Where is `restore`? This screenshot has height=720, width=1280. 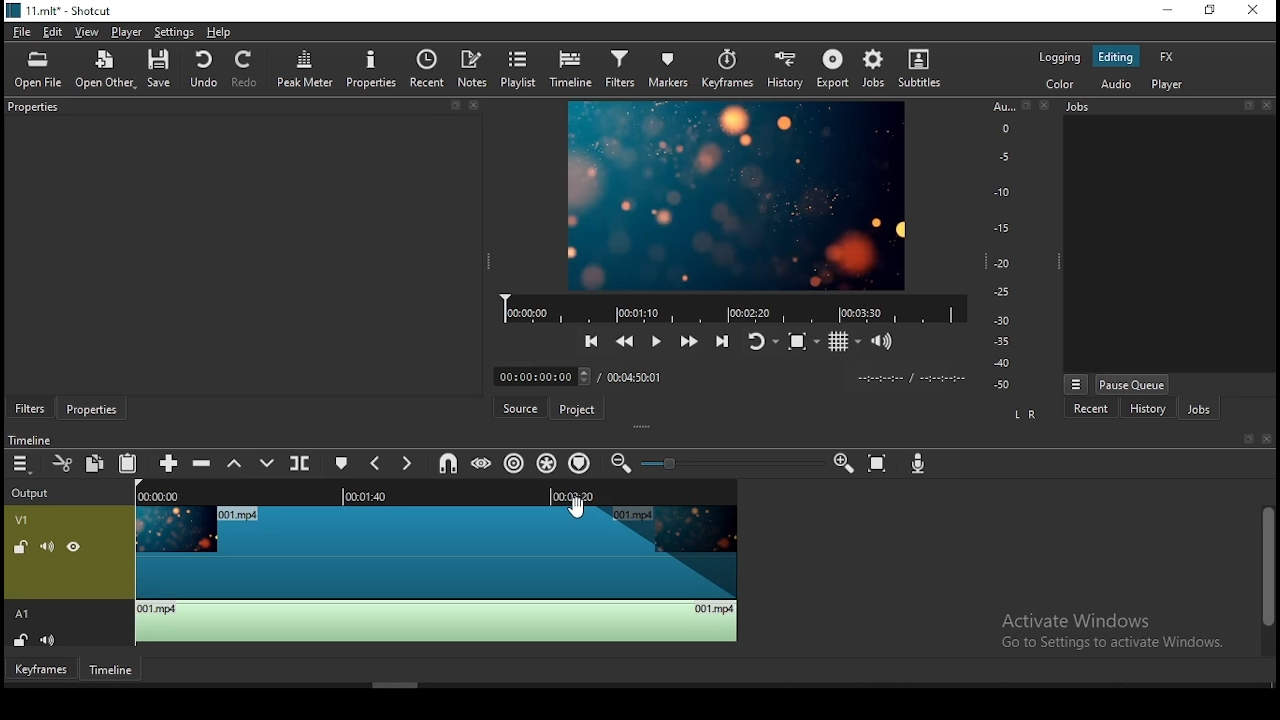 restore is located at coordinates (1210, 11).